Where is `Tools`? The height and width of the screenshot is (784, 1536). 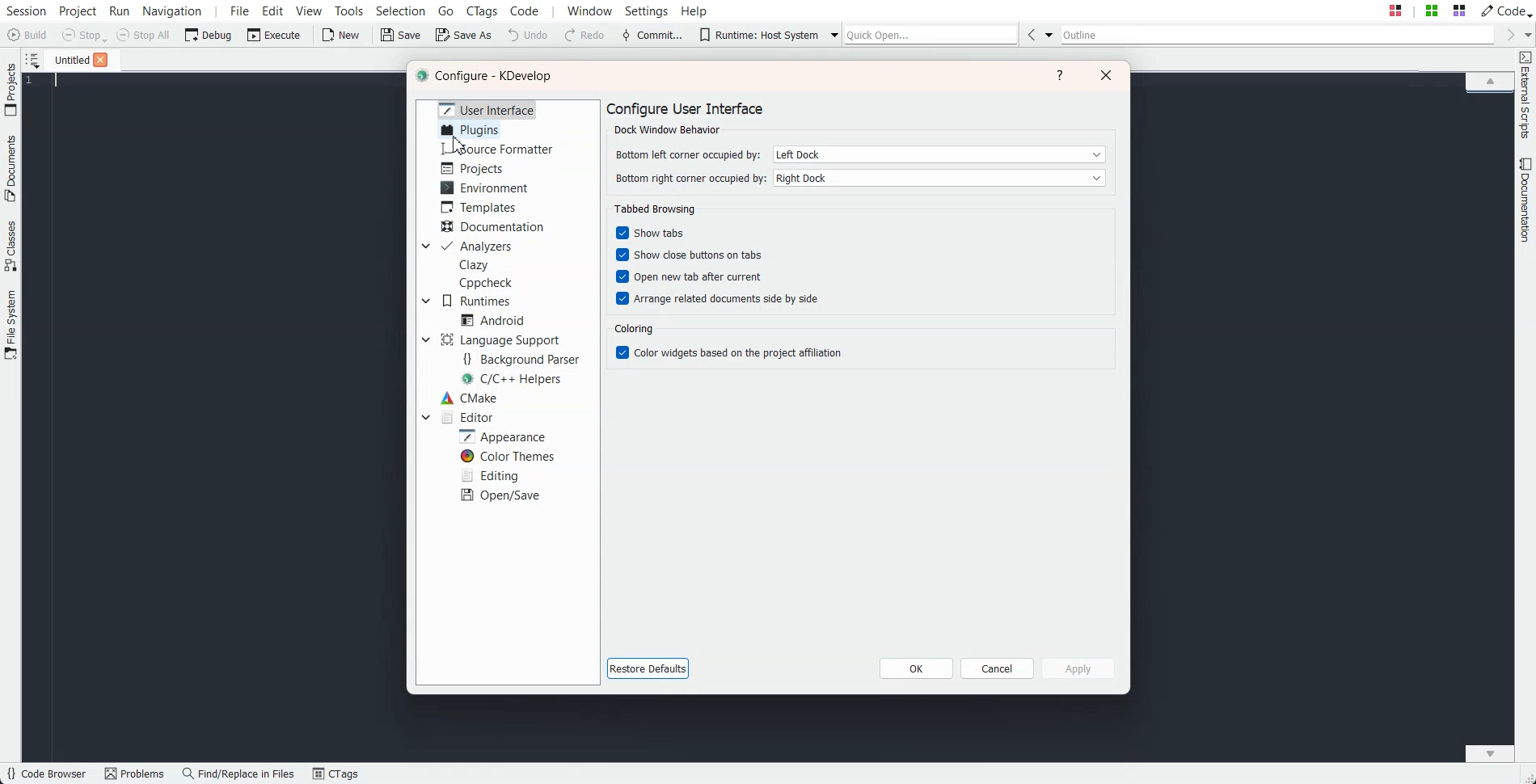
Tools is located at coordinates (350, 11).